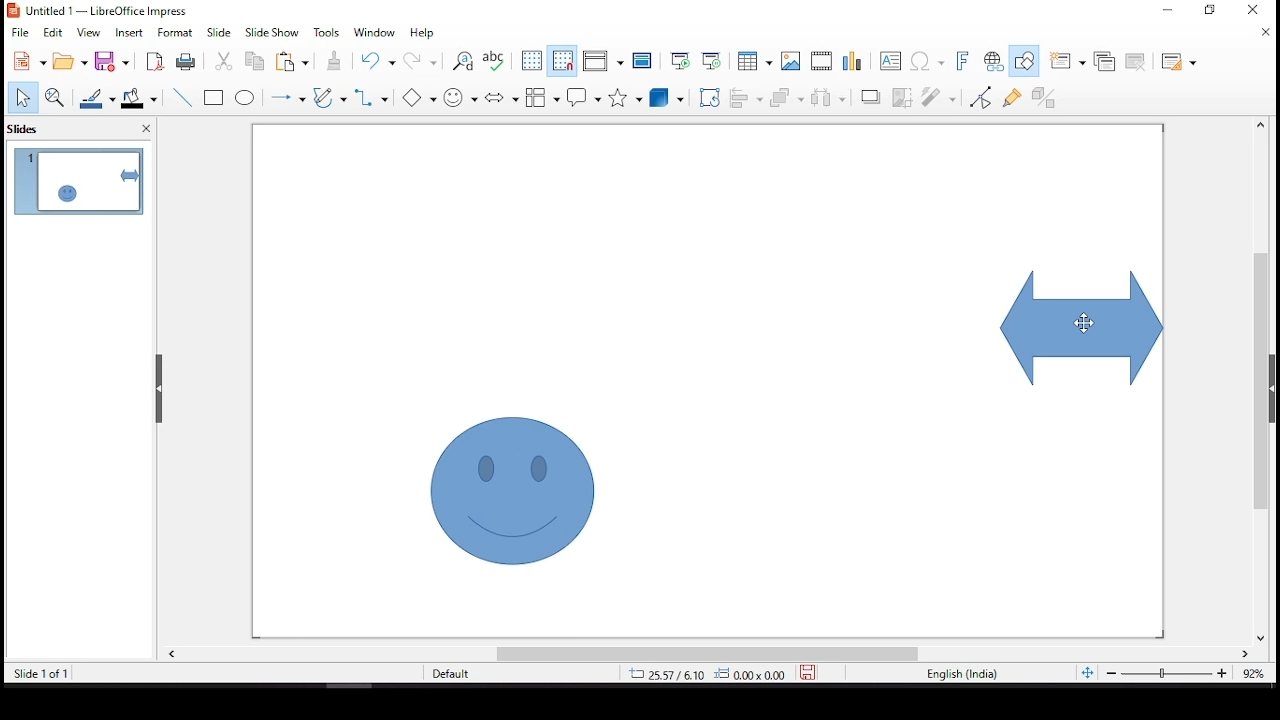  I want to click on minimize, so click(1169, 8).